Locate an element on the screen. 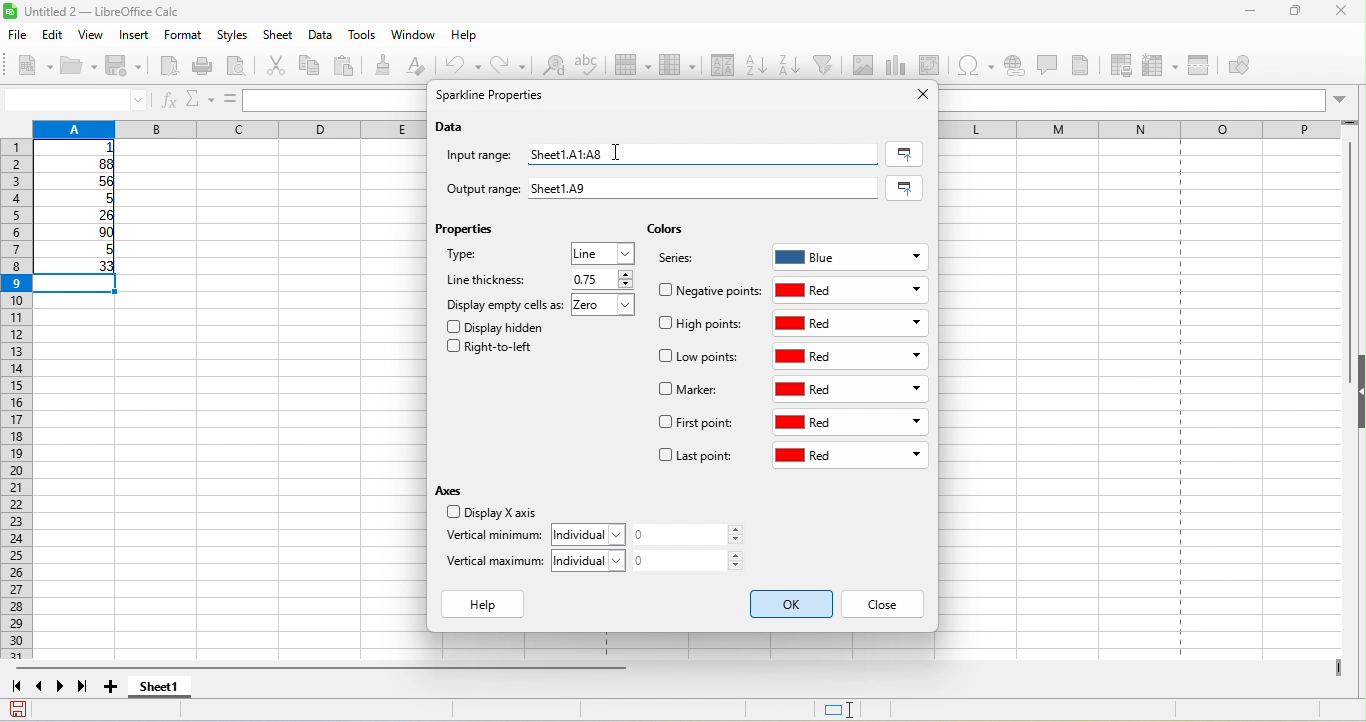 This screenshot has height=722, width=1366. colors is located at coordinates (665, 230).